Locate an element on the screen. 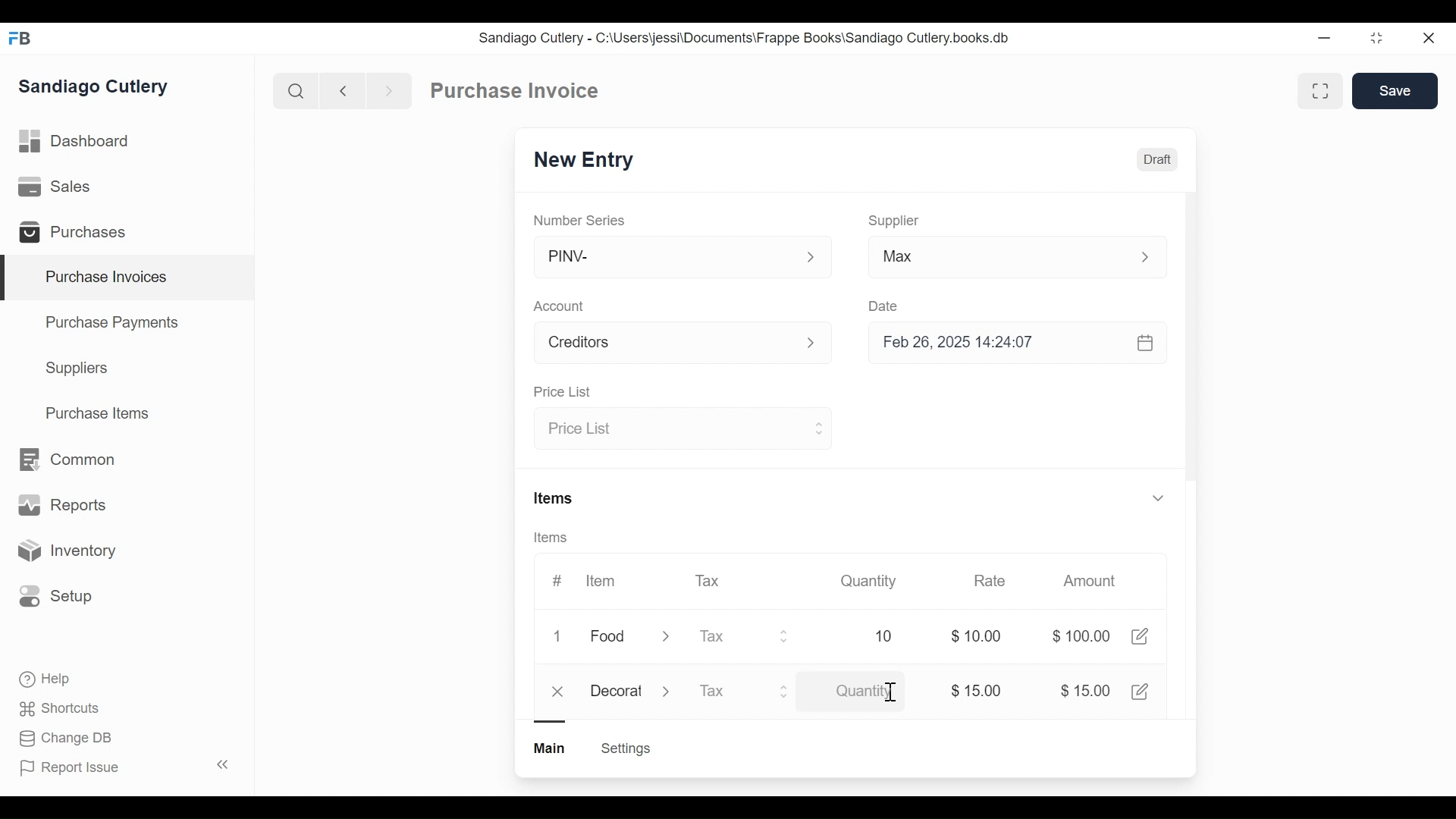  Purchase Invoices is located at coordinates (128, 278).